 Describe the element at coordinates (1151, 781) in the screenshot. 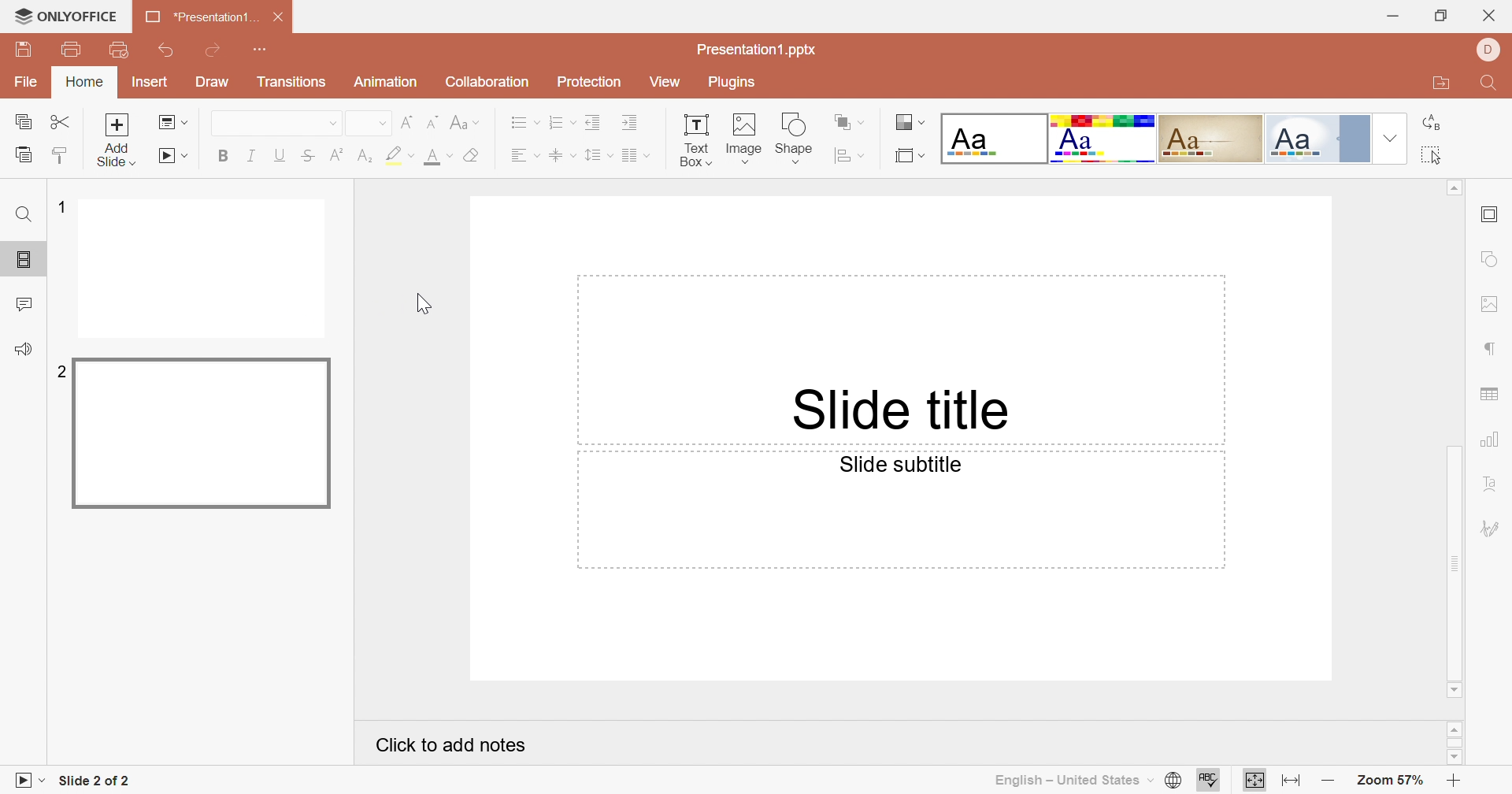

I see `Drop Down` at that location.